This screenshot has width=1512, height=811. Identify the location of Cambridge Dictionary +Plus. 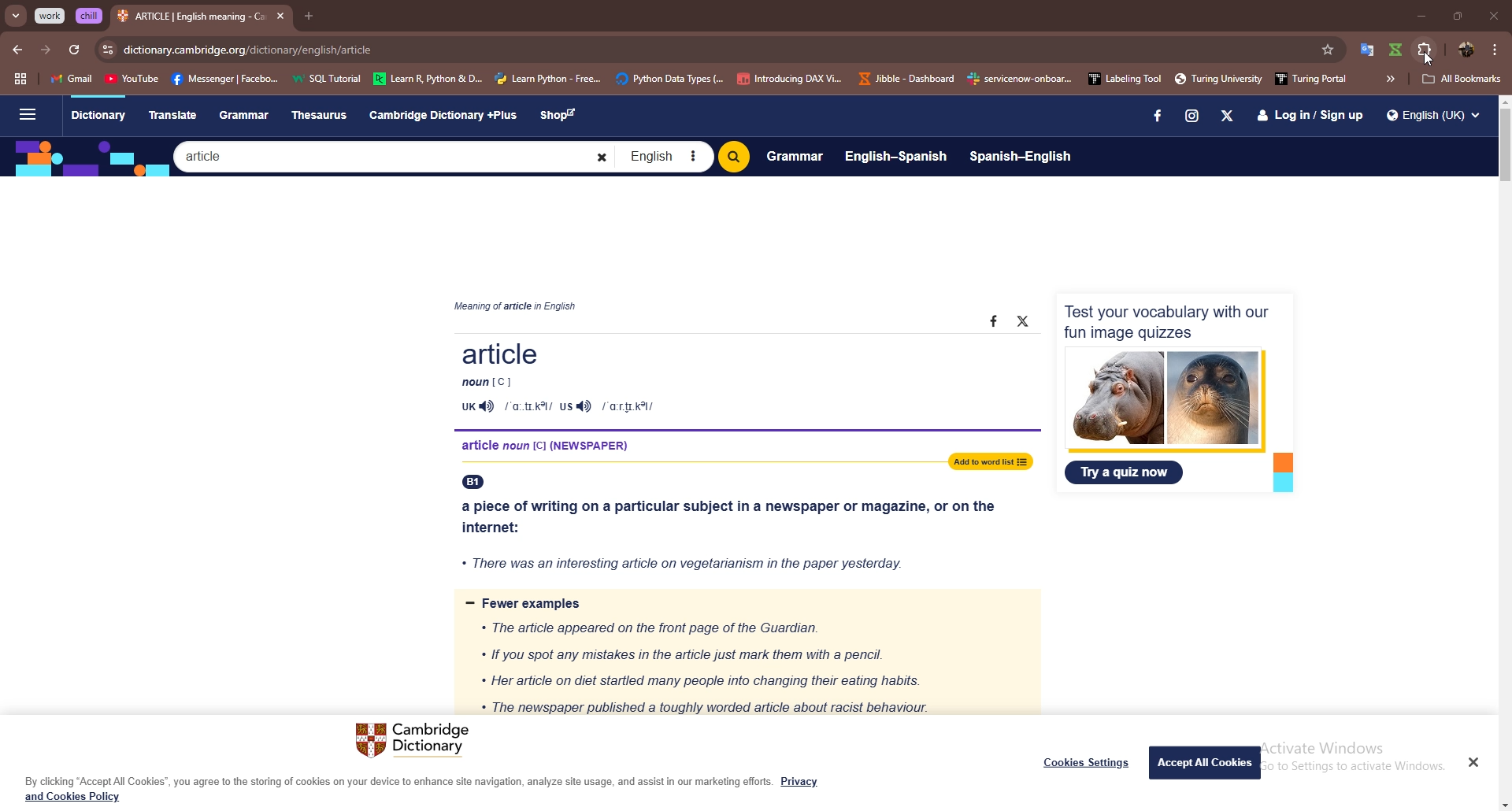
(445, 115).